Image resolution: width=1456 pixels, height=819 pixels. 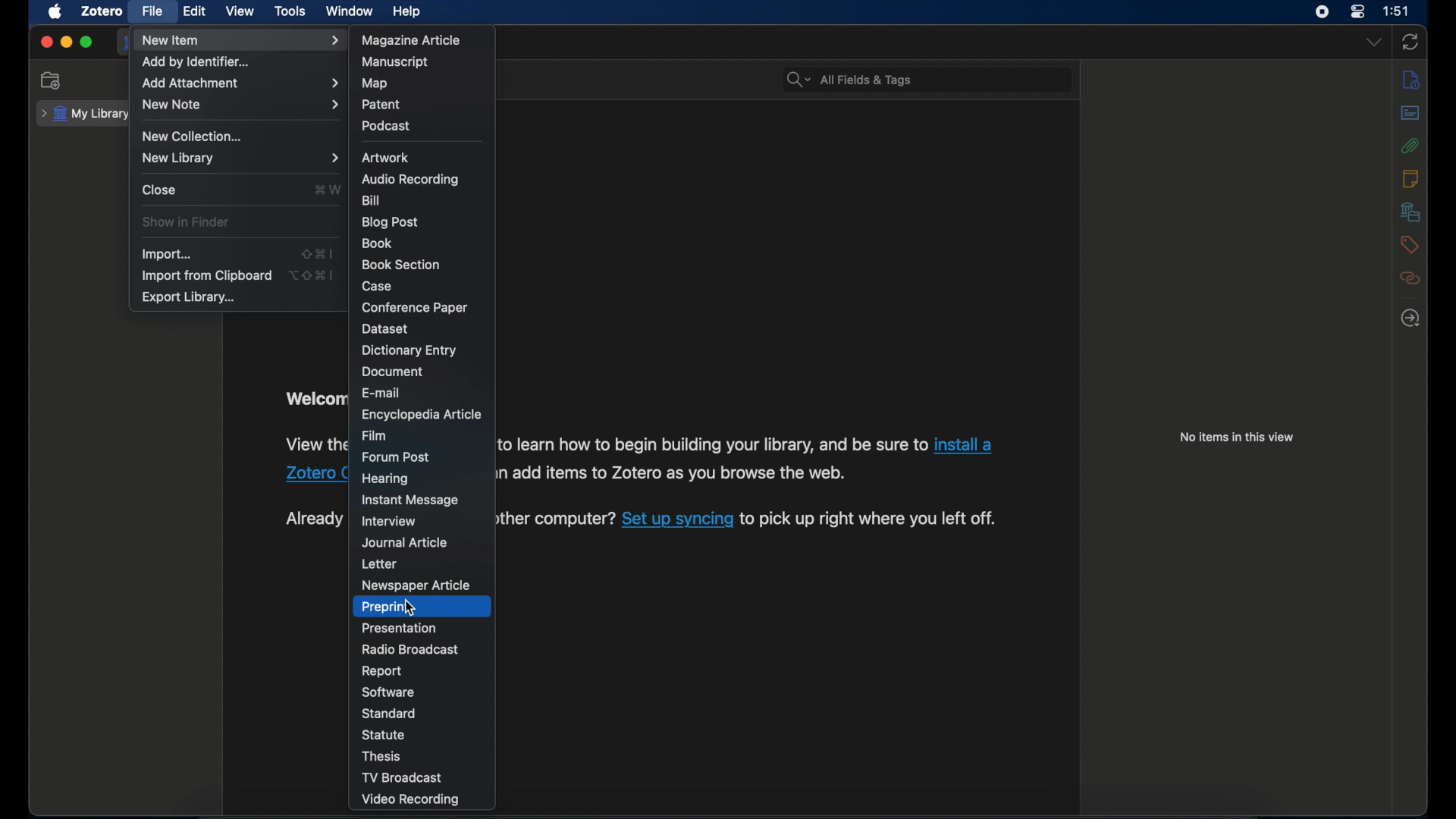 I want to click on patent, so click(x=381, y=105).